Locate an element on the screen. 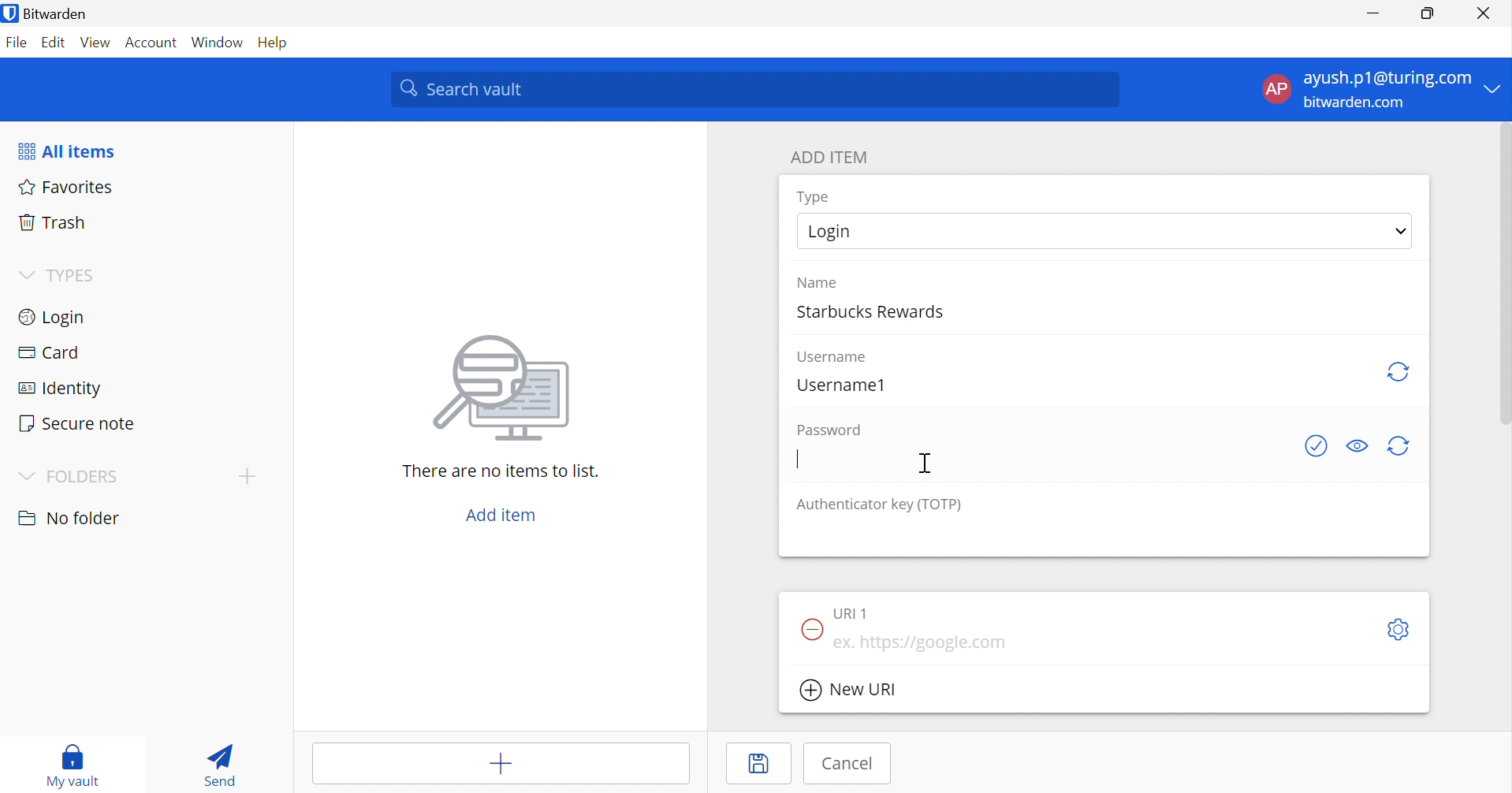 The width and height of the screenshot is (1512, 793). Username is located at coordinates (836, 357).